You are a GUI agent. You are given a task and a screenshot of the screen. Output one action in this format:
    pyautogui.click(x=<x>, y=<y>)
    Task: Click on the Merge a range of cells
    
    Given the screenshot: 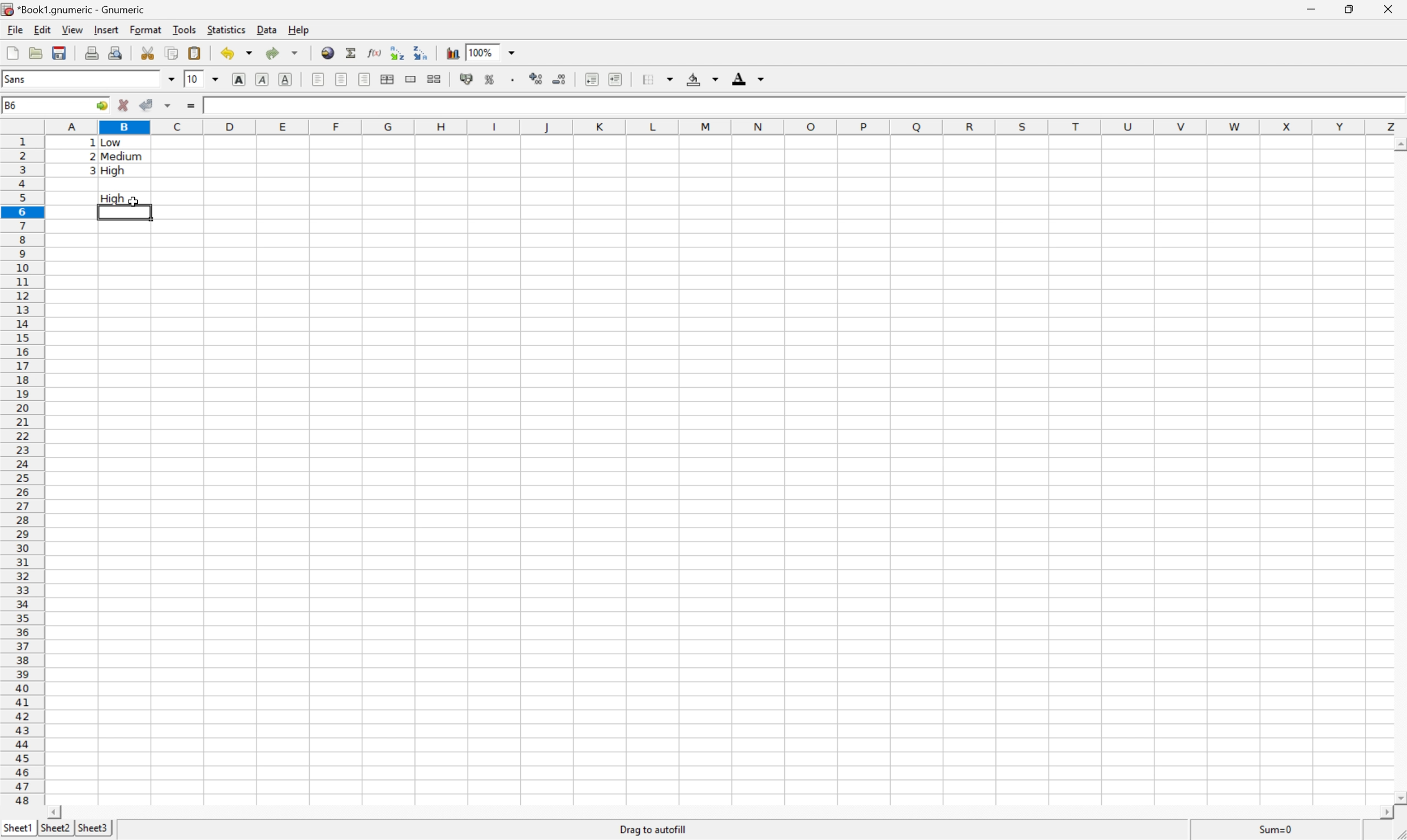 What is the action you would take?
    pyautogui.click(x=411, y=79)
    